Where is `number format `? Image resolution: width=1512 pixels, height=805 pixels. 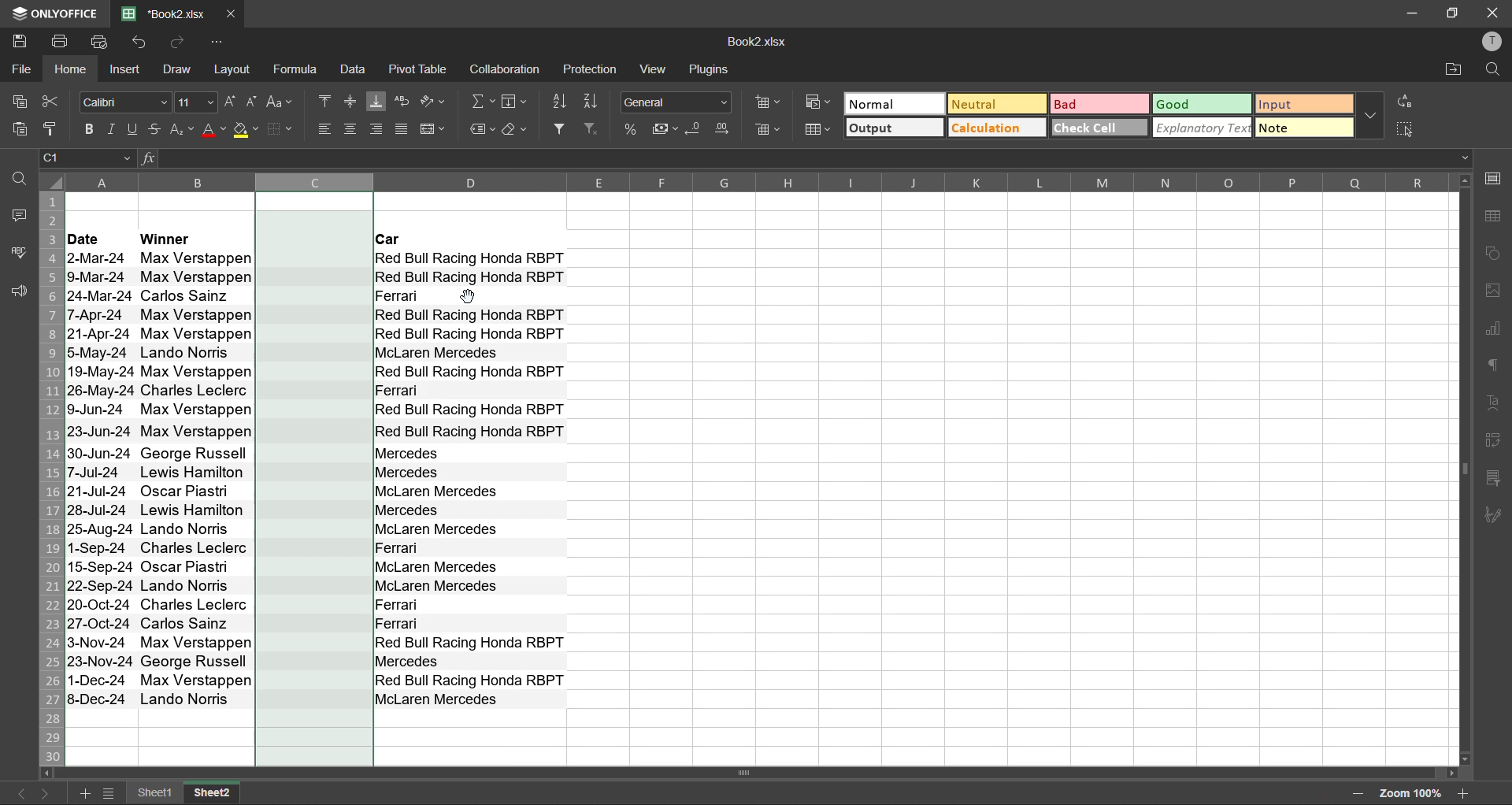
number format  is located at coordinates (674, 102).